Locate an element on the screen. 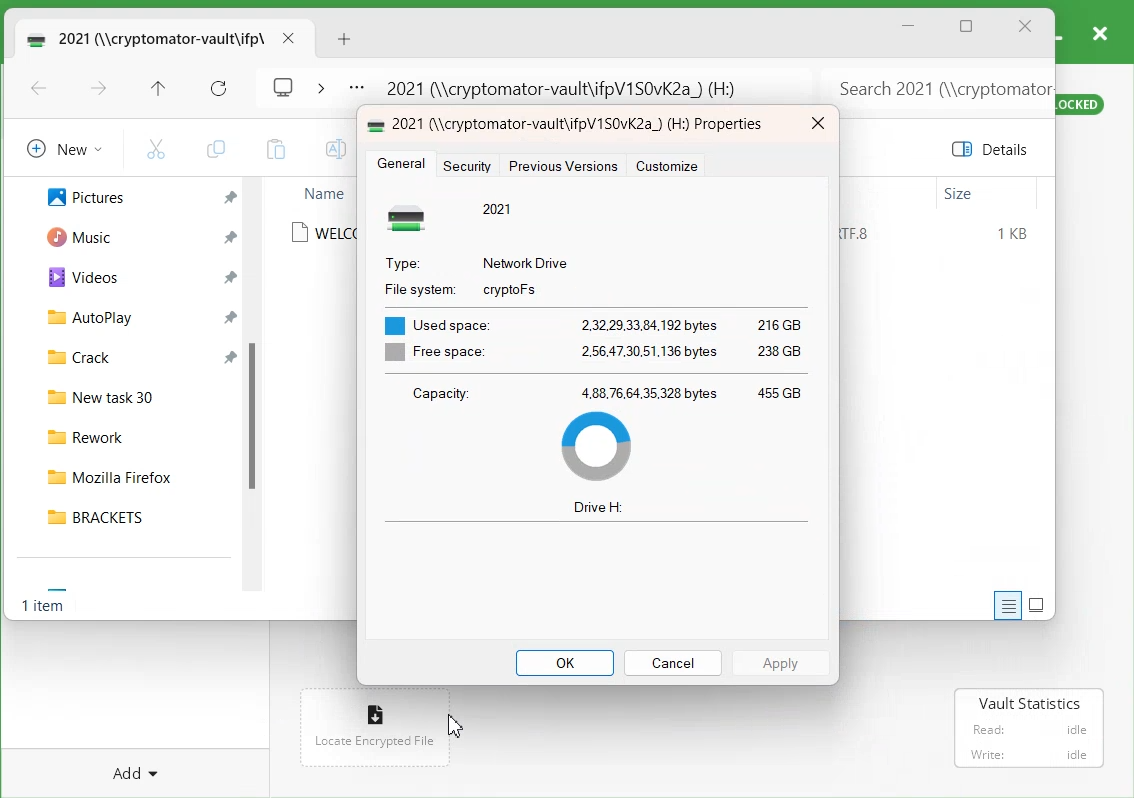  Text is located at coordinates (46, 608).